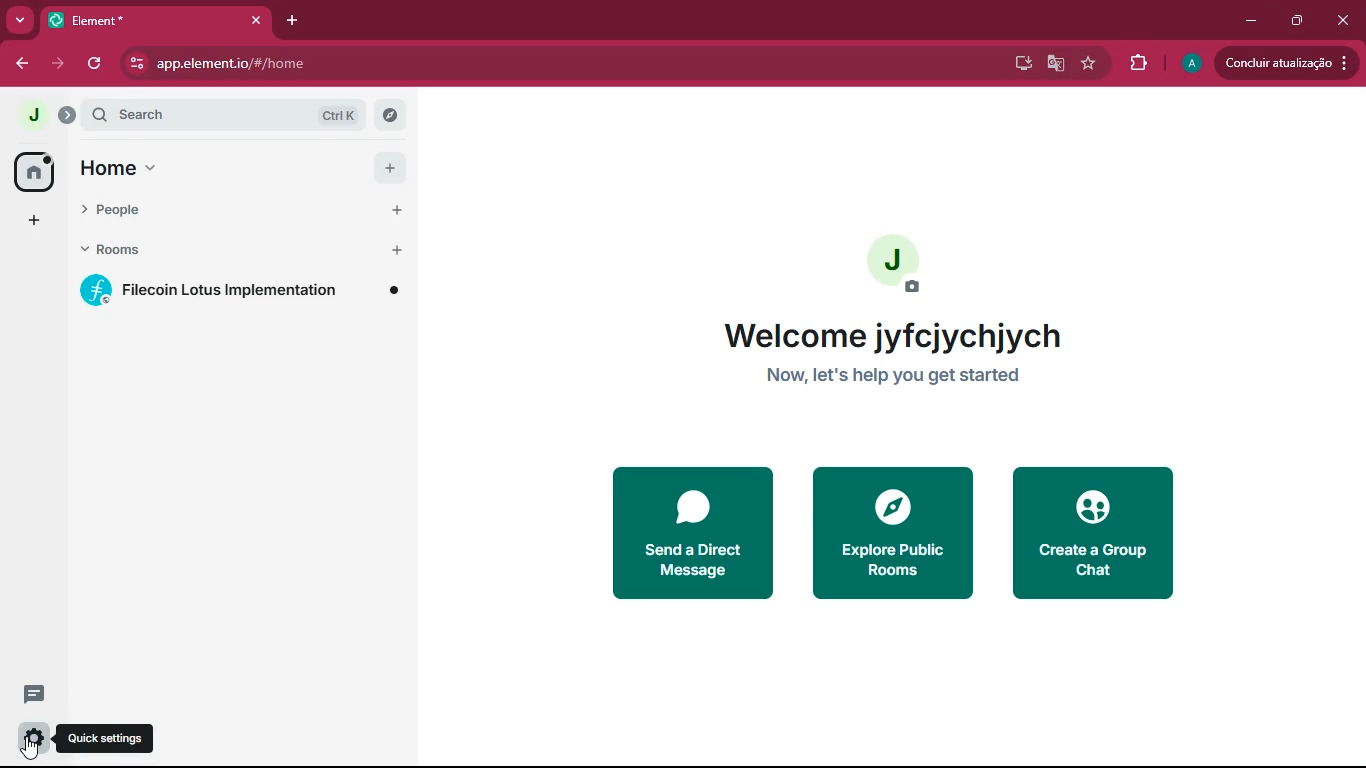 The width and height of the screenshot is (1366, 768). I want to click on Now, let's help you get started, so click(896, 379).